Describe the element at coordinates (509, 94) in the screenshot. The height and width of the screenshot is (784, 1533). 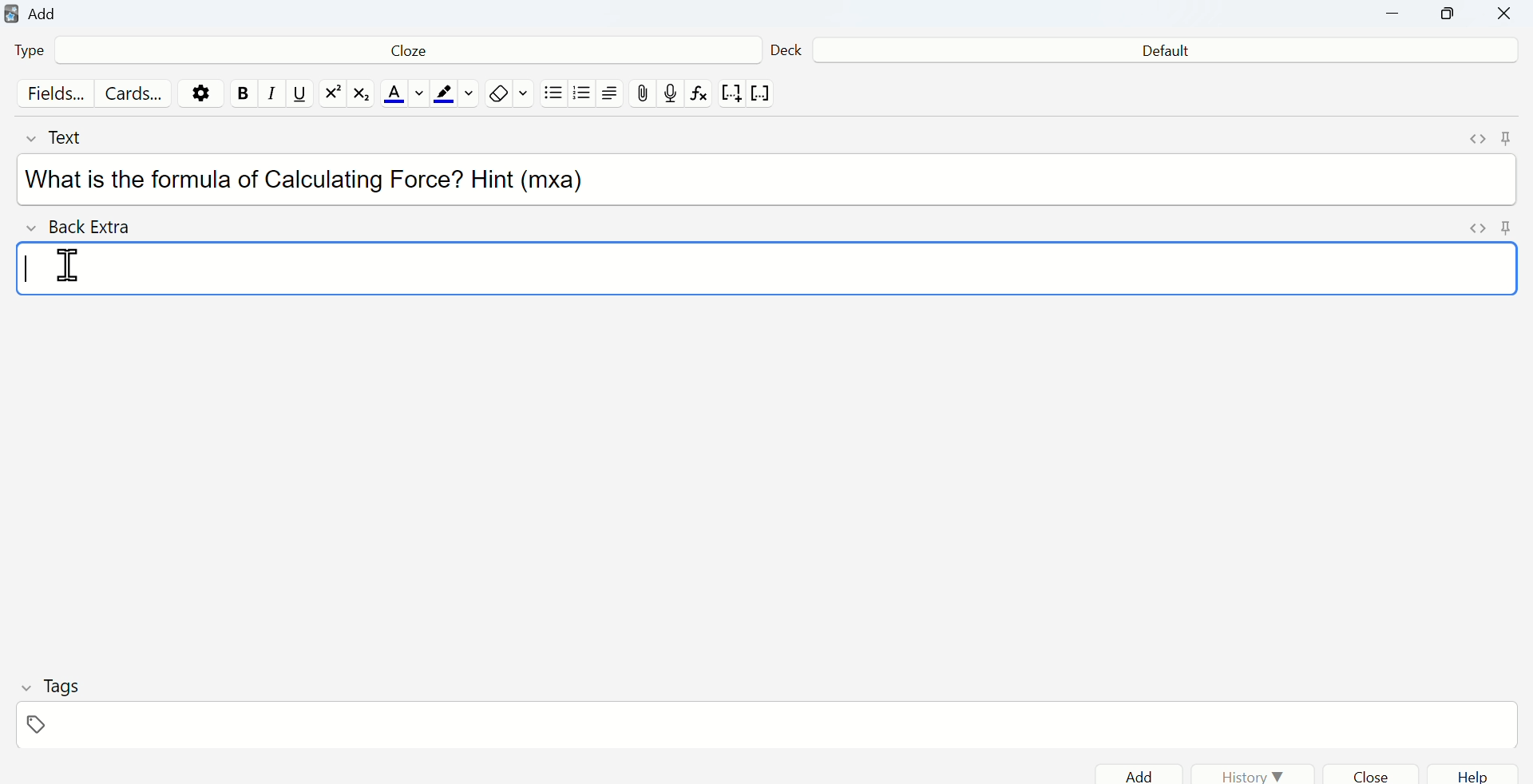
I see `Eraser` at that location.